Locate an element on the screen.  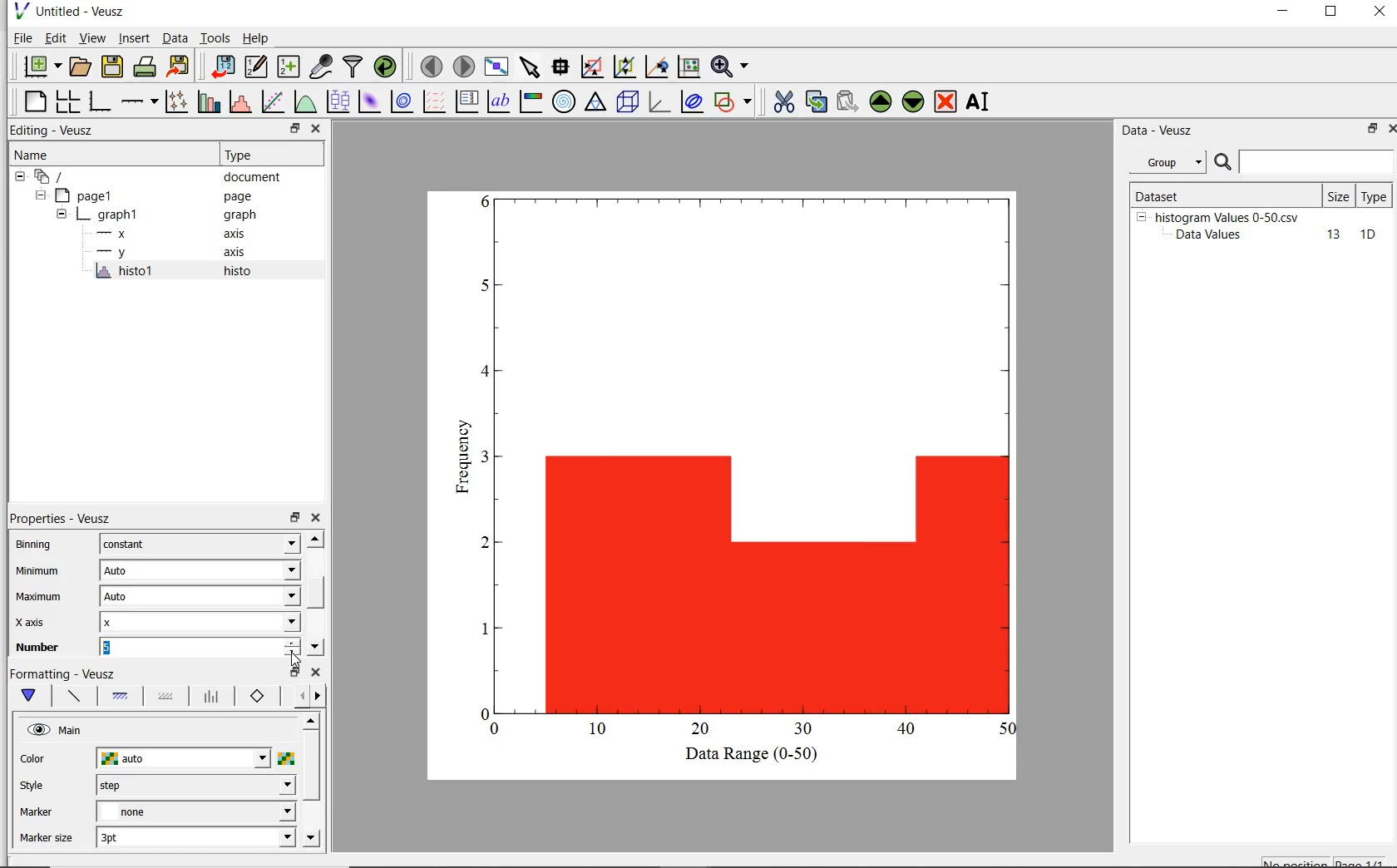
plot key is located at coordinates (466, 101).